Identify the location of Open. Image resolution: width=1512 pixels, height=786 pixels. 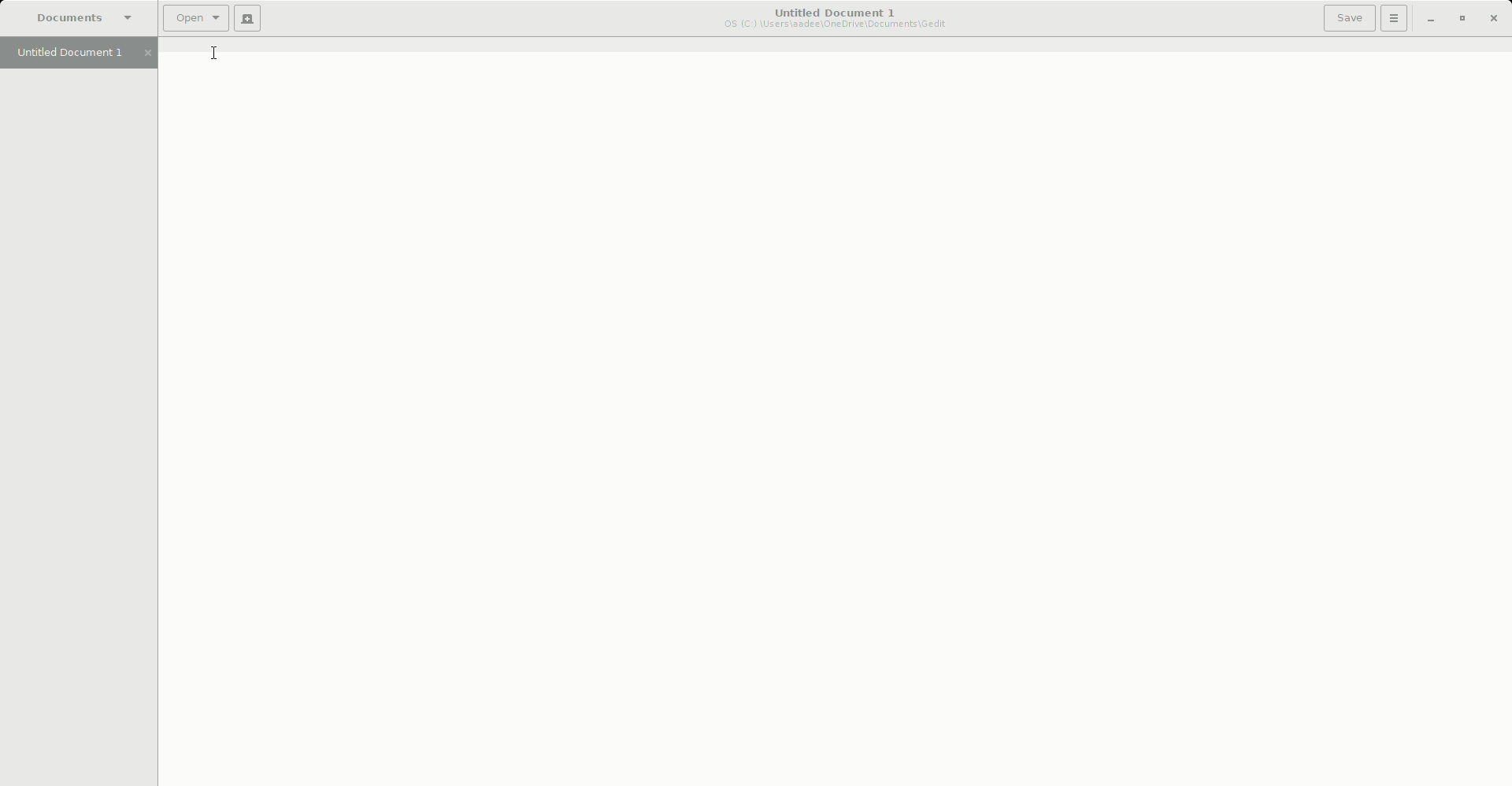
(195, 18).